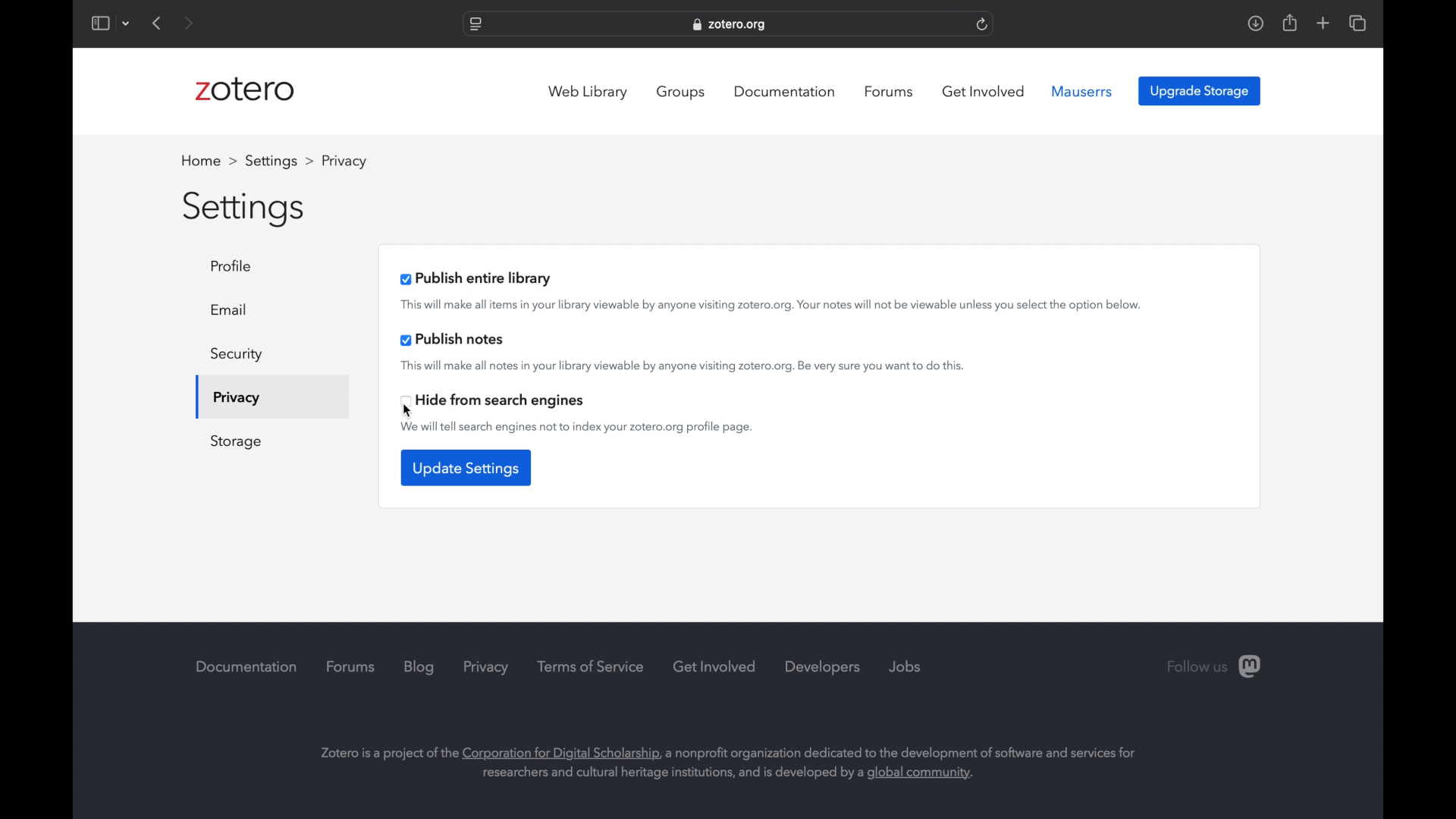 The height and width of the screenshot is (819, 1456). What do you see at coordinates (1357, 23) in the screenshot?
I see `show tab overview` at bounding box center [1357, 23].